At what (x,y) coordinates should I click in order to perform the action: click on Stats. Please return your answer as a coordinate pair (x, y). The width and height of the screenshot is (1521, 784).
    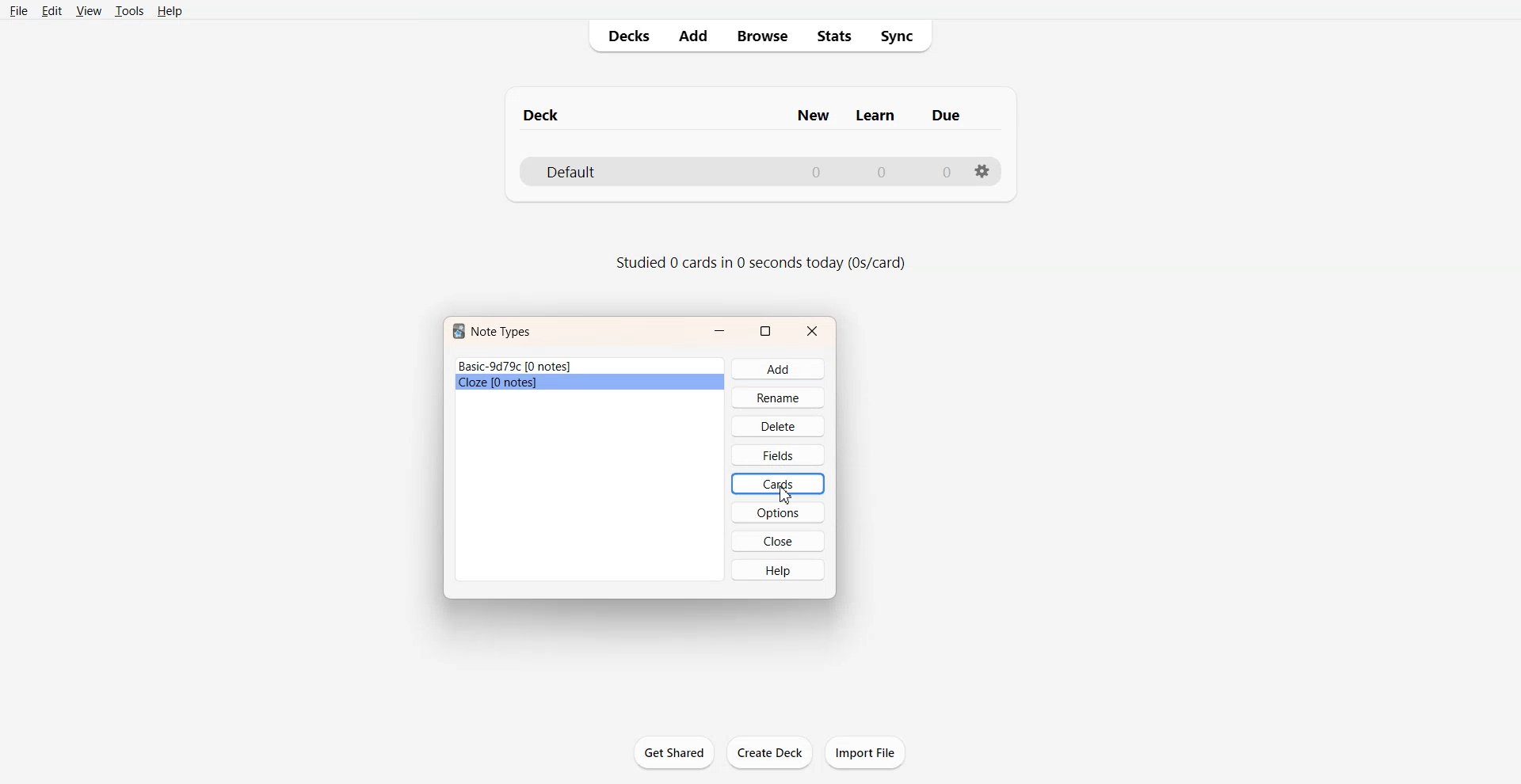
    Looking at the image, I should click on (833, 36).